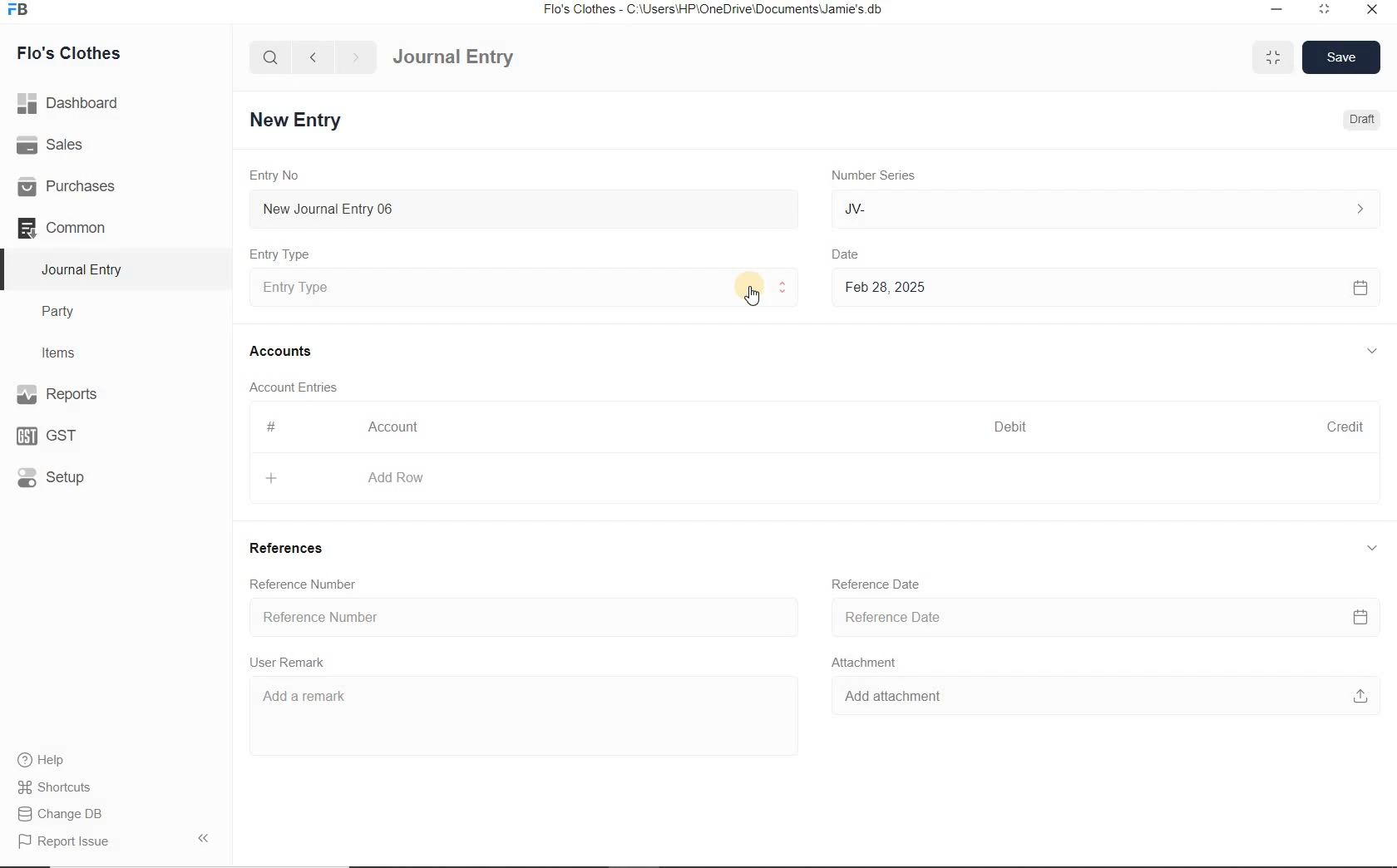 Image resolution: width=1397 pixels, height=868 pixels. Describe the element at coordinates (67, 476) in the screenshot. I see `Setup` at that location.